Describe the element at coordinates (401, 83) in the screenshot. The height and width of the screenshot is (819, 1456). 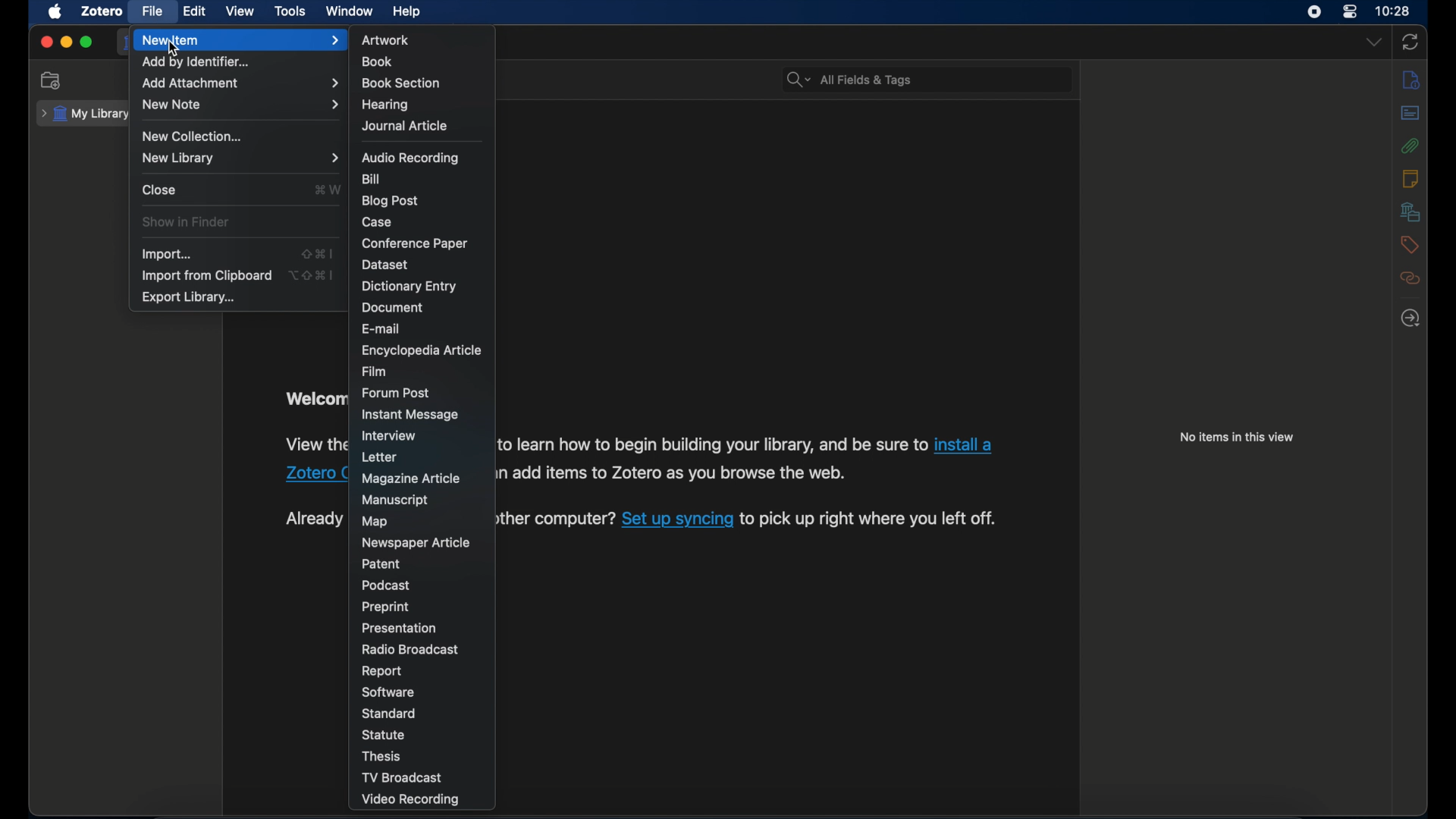
I see `book section` at that location.